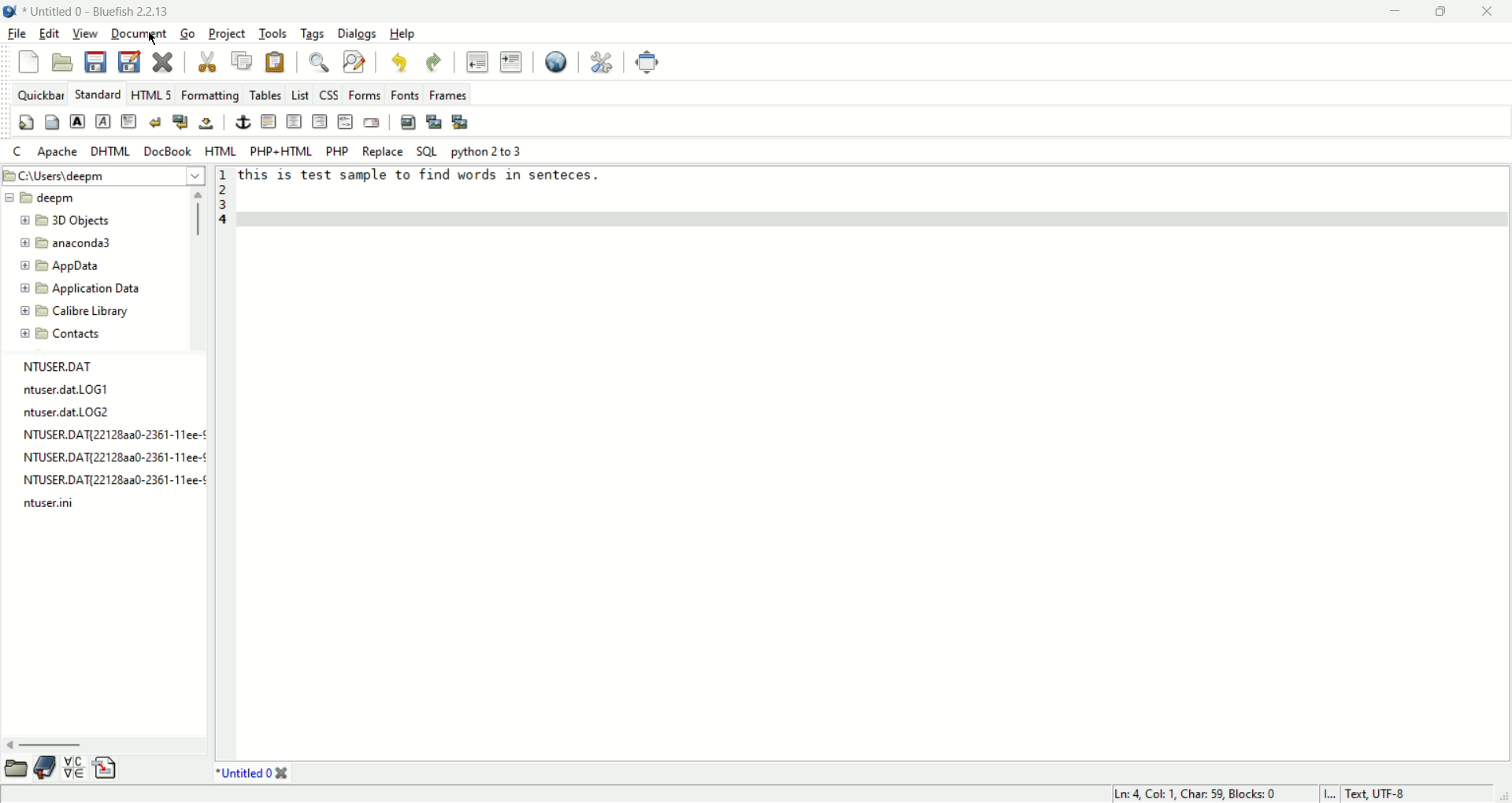 The height and width of the screenshot is (803, 1512). I want to click on edit, so click(49, 33).